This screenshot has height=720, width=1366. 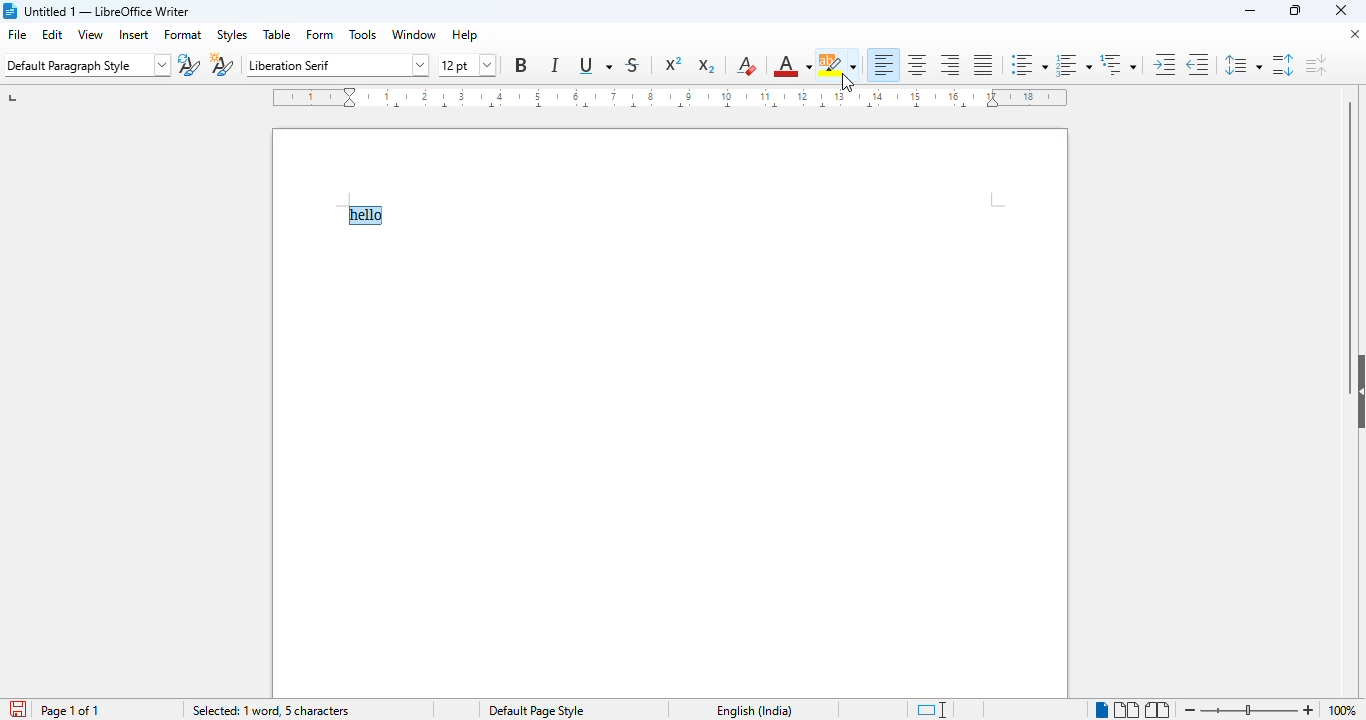 What do you see at coordinates (1118, 64) in the screenshot?
I see `select outline format` at bounding box center [1118, 64].